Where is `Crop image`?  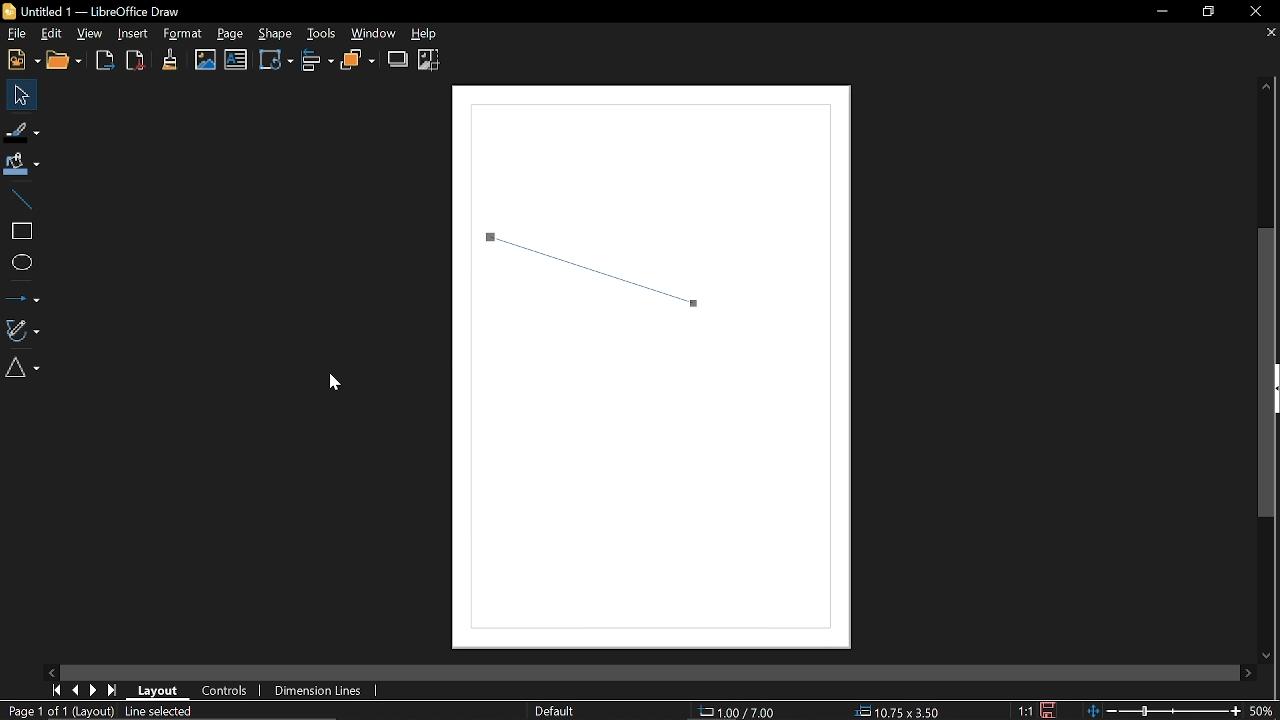
Crop image is located at coordinates (431, 59).